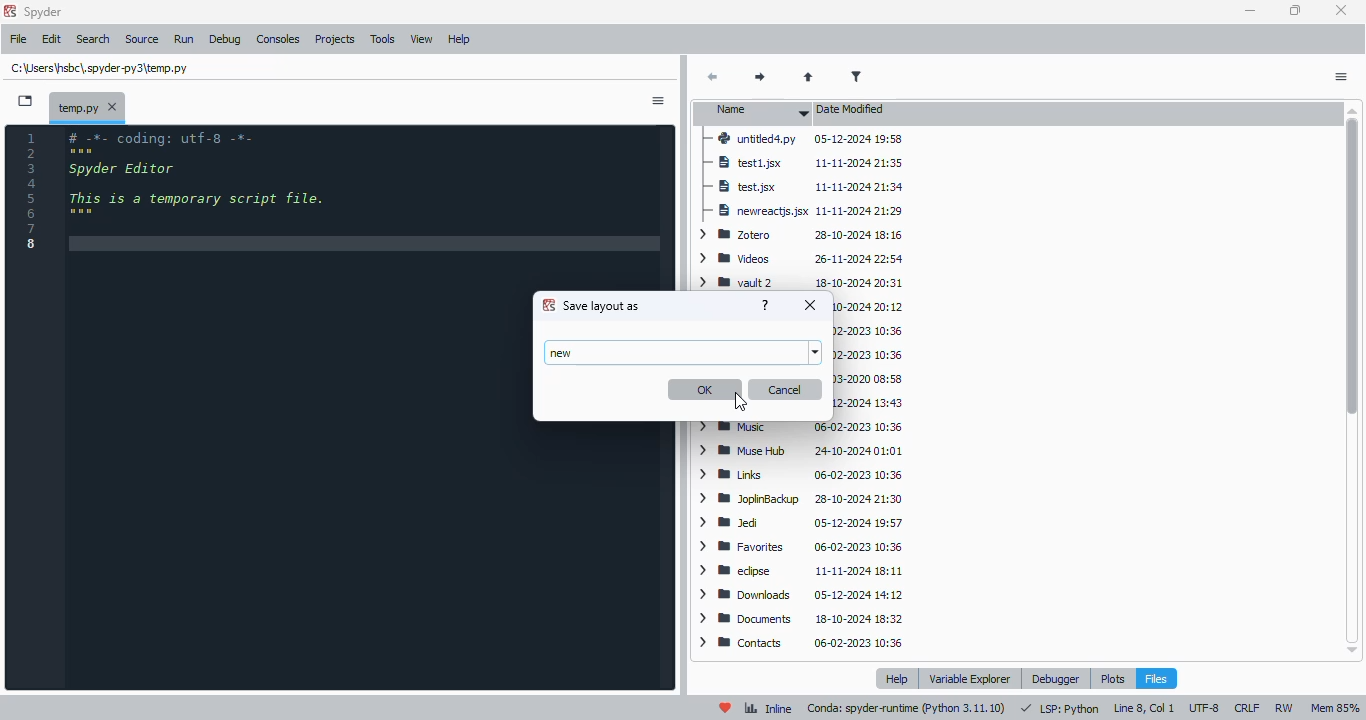 Image resolution: width=1366 pixels, height=720 pixels. Describe the element at coordinates (714, 77) in the screenshot. I see `back` at that location.